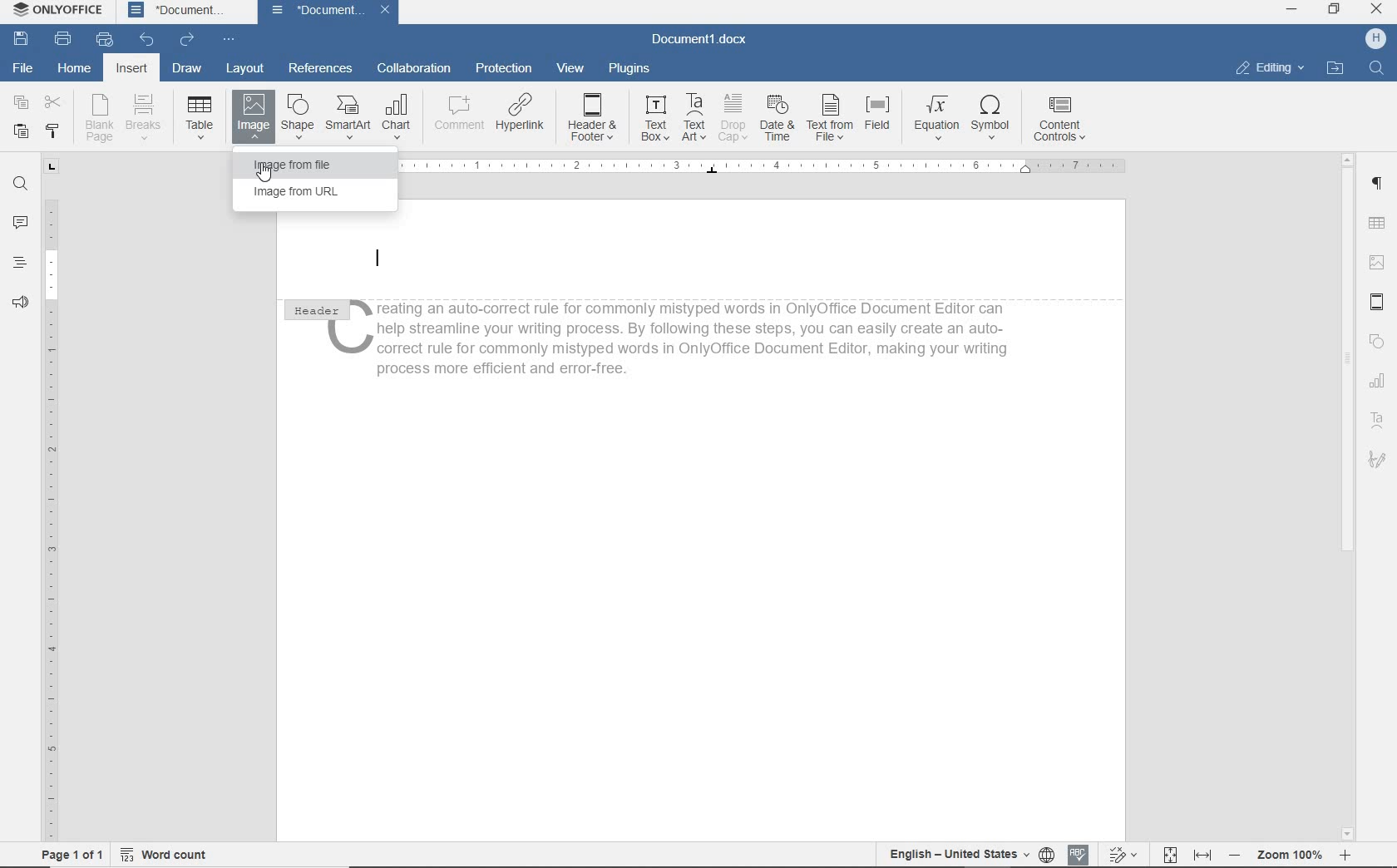 The height and width of the screenshot is (868, 1397). Describe the element at coordinates (1375, 224) in the screenshot. I see `TABLE` at that location.